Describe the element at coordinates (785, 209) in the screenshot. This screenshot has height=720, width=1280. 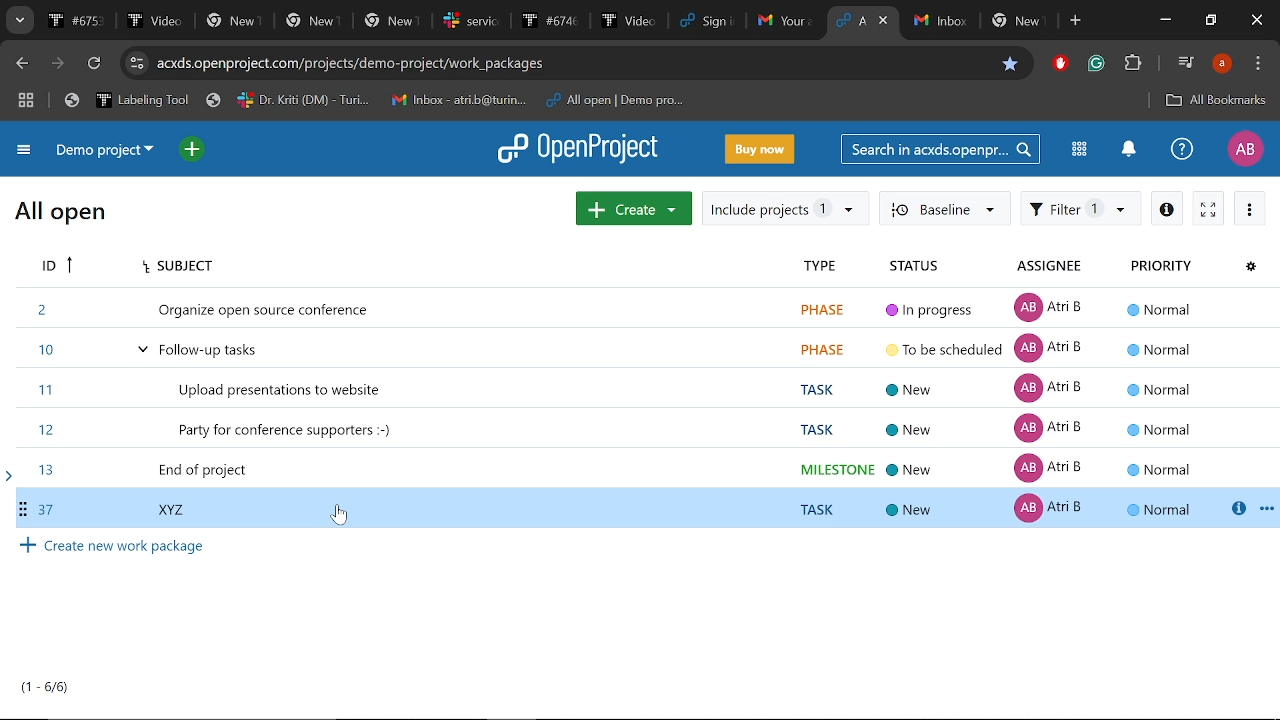
I see `Include project` at that location.